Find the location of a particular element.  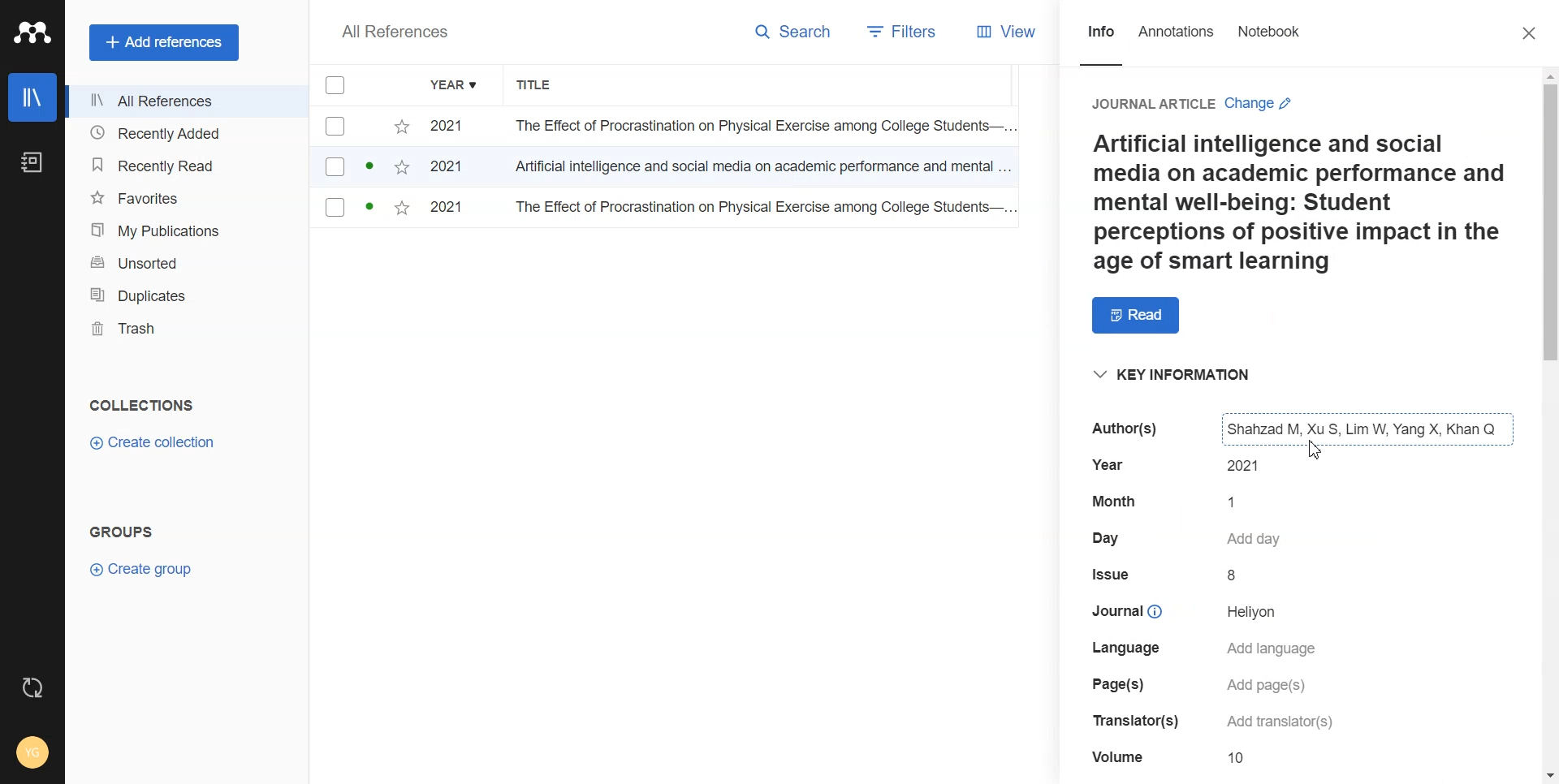

Auto sync is located at coordinates (32, 687).